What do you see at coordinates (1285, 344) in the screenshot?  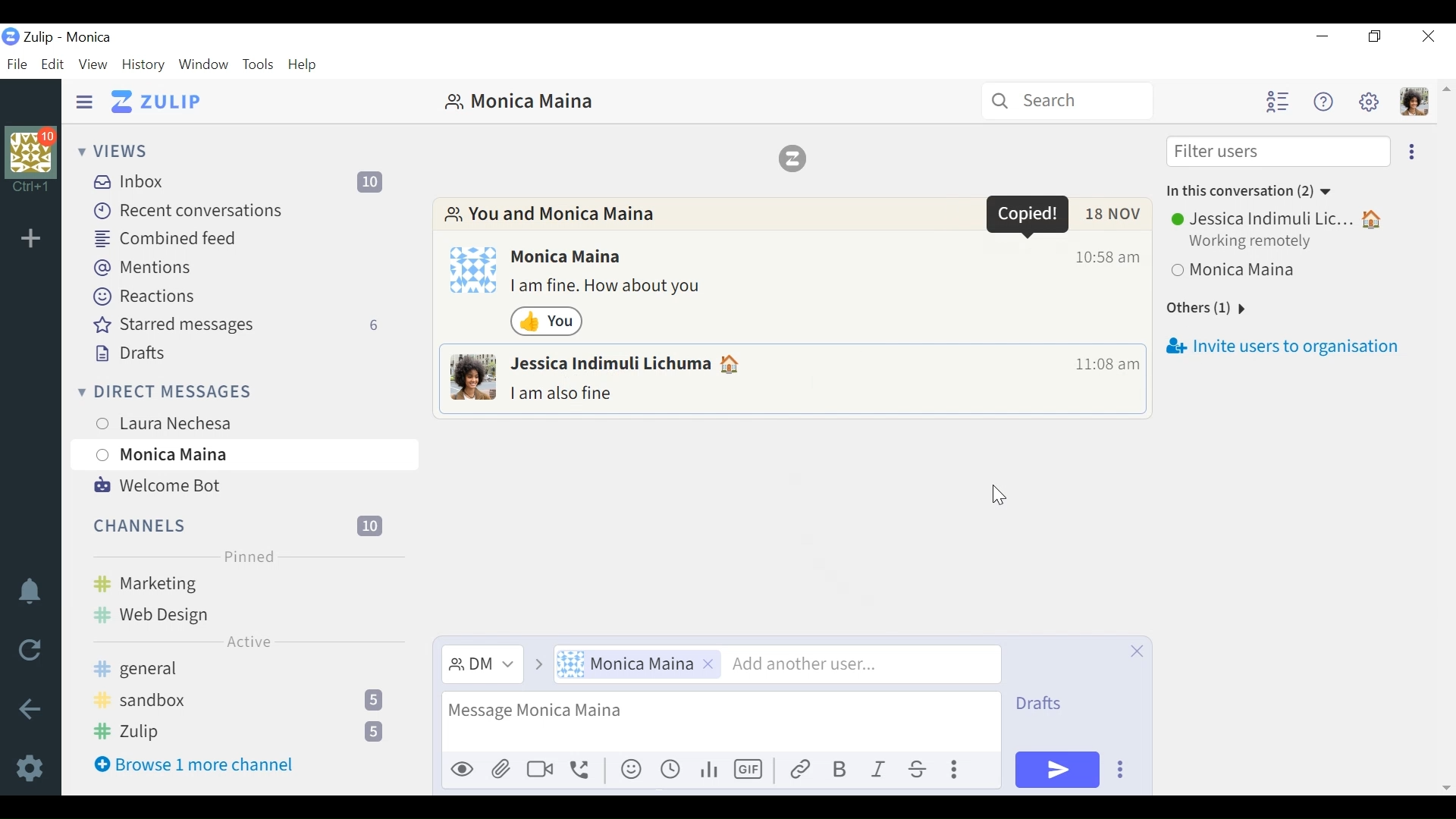 I see `Invite users to organisation` at bounding box center [1285, 344].